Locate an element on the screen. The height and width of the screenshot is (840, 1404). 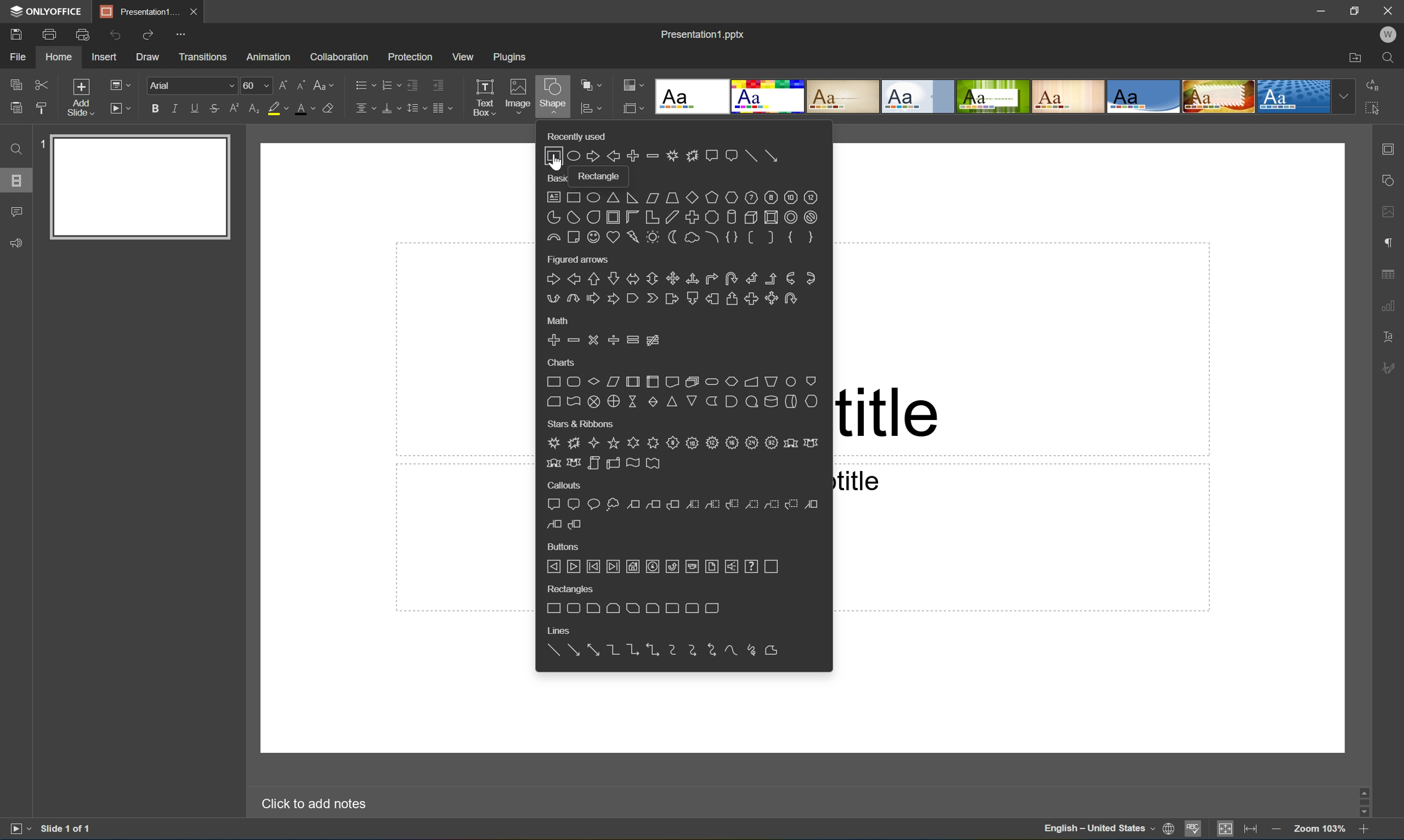
Bullets is located at coordinates (362, 84).